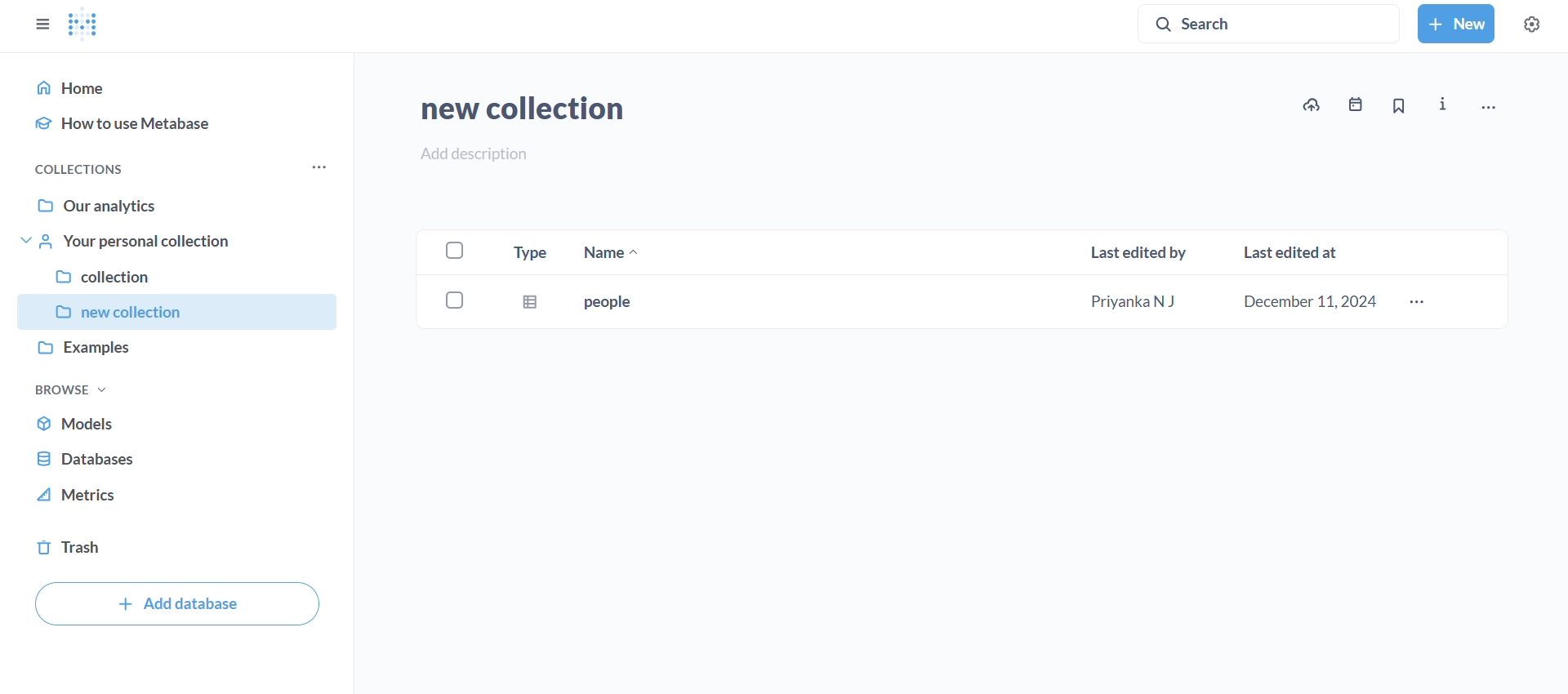 The image size is (1568, 694). What do you see at coordinates (449, 247) in the screenshot?
I see `checkboxes` at bounding box center [449, 247].